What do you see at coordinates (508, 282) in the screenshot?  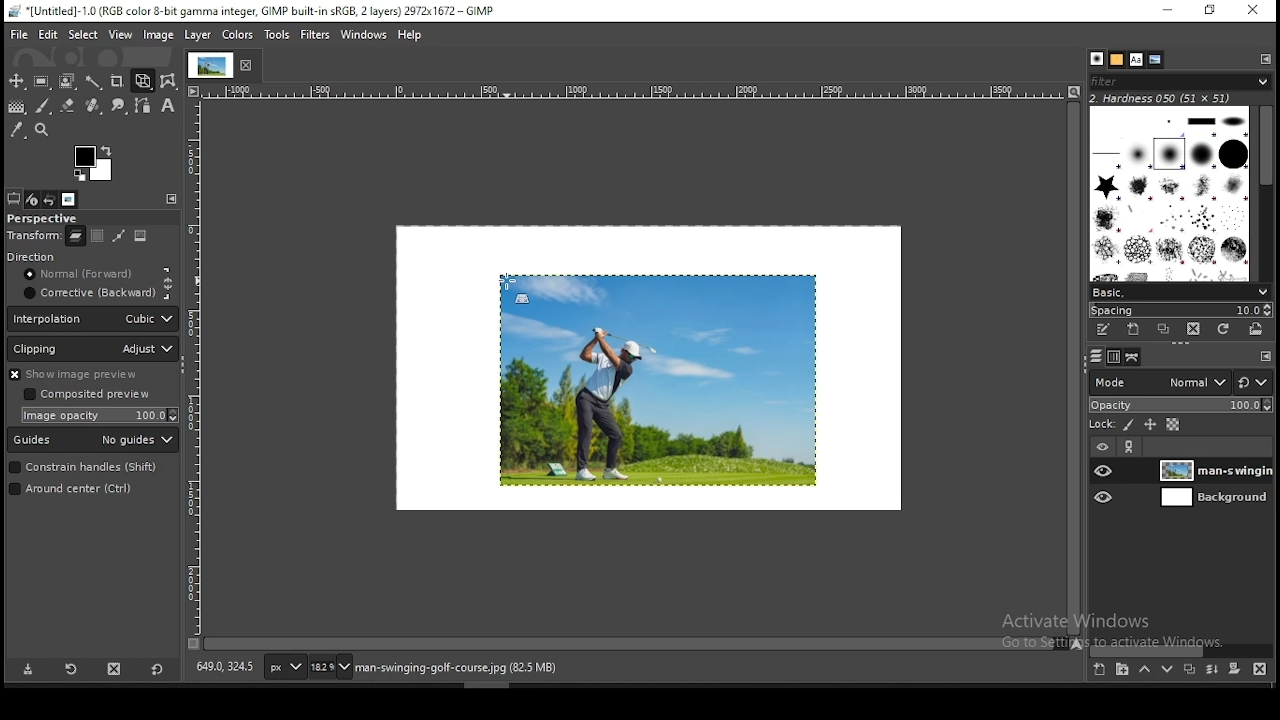 I see `mouse pointer` at bounding box center [508, 282].